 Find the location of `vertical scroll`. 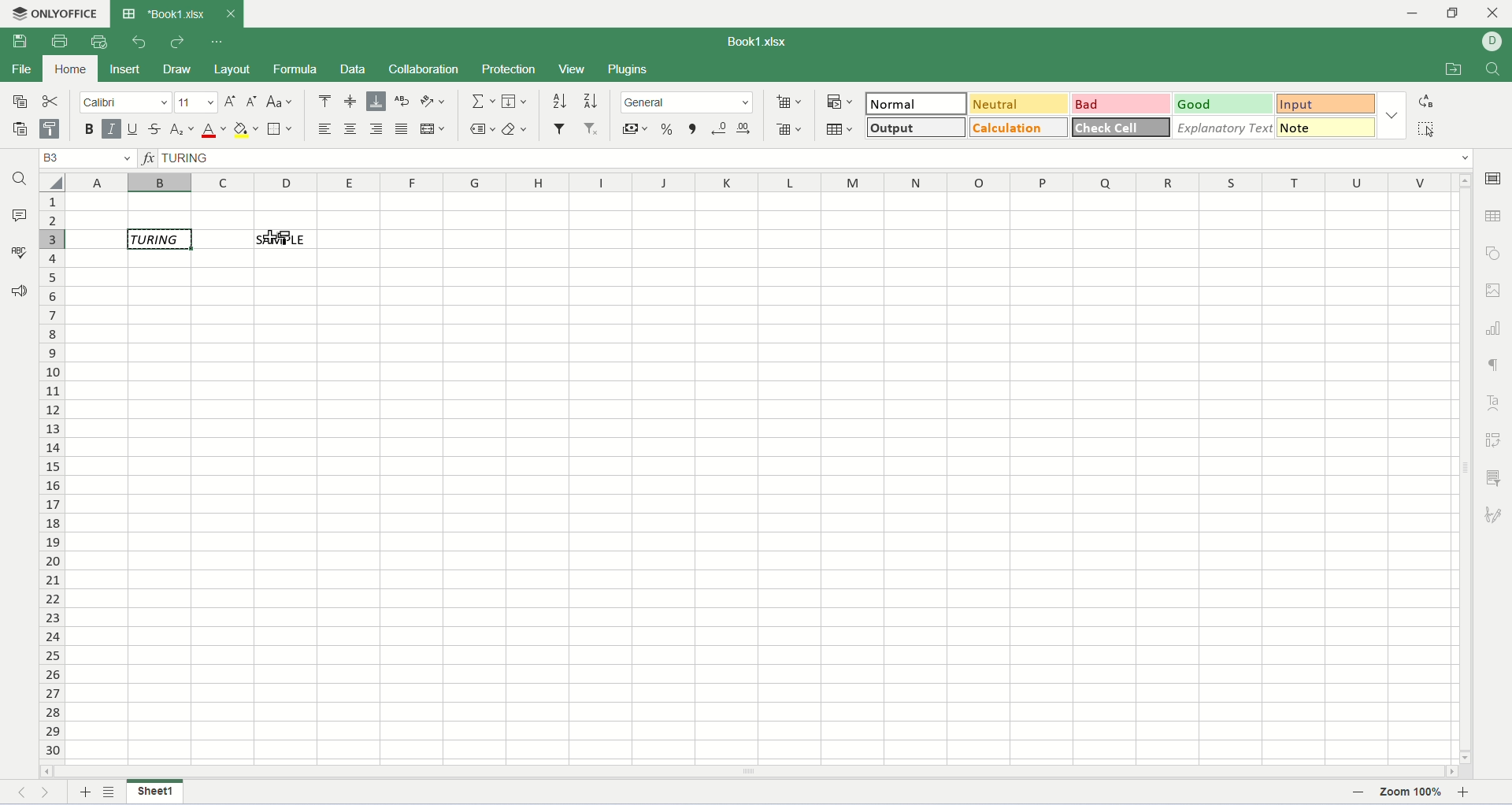

vertical scroll is located at coordinates (1466, 469).